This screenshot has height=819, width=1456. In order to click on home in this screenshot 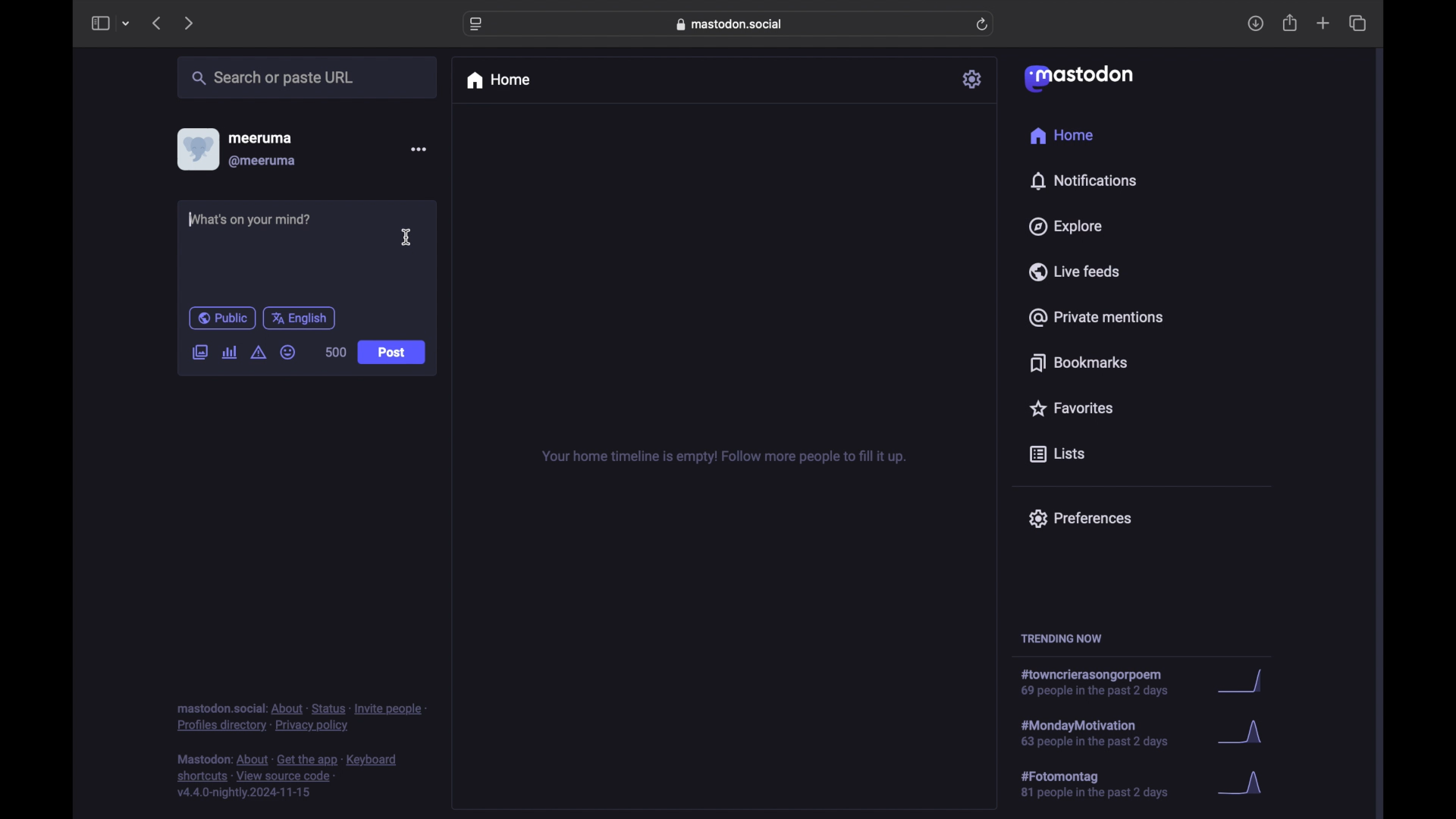, I will do `click(497, 80)`.